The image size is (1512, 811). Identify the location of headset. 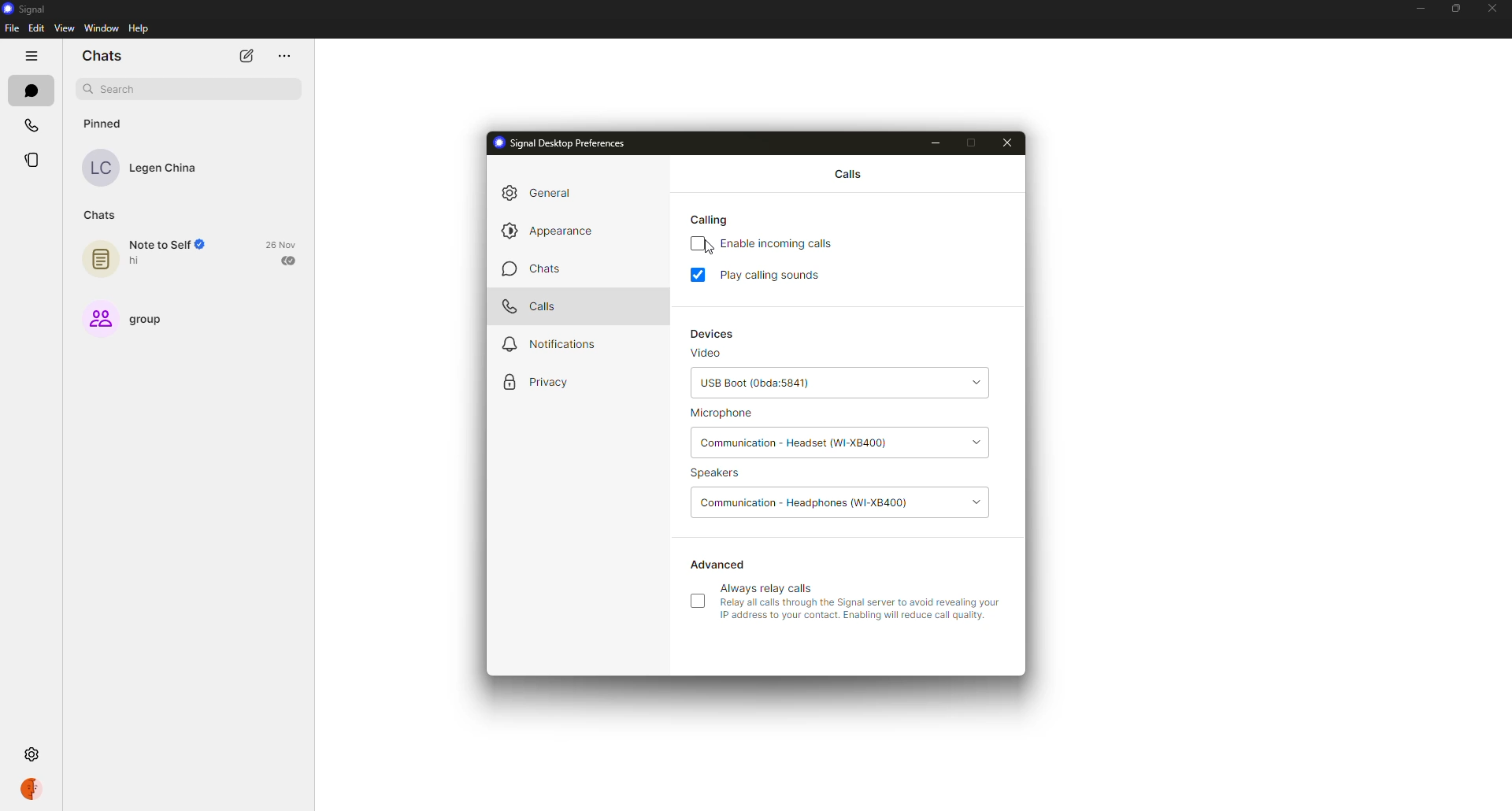
(799, 443).